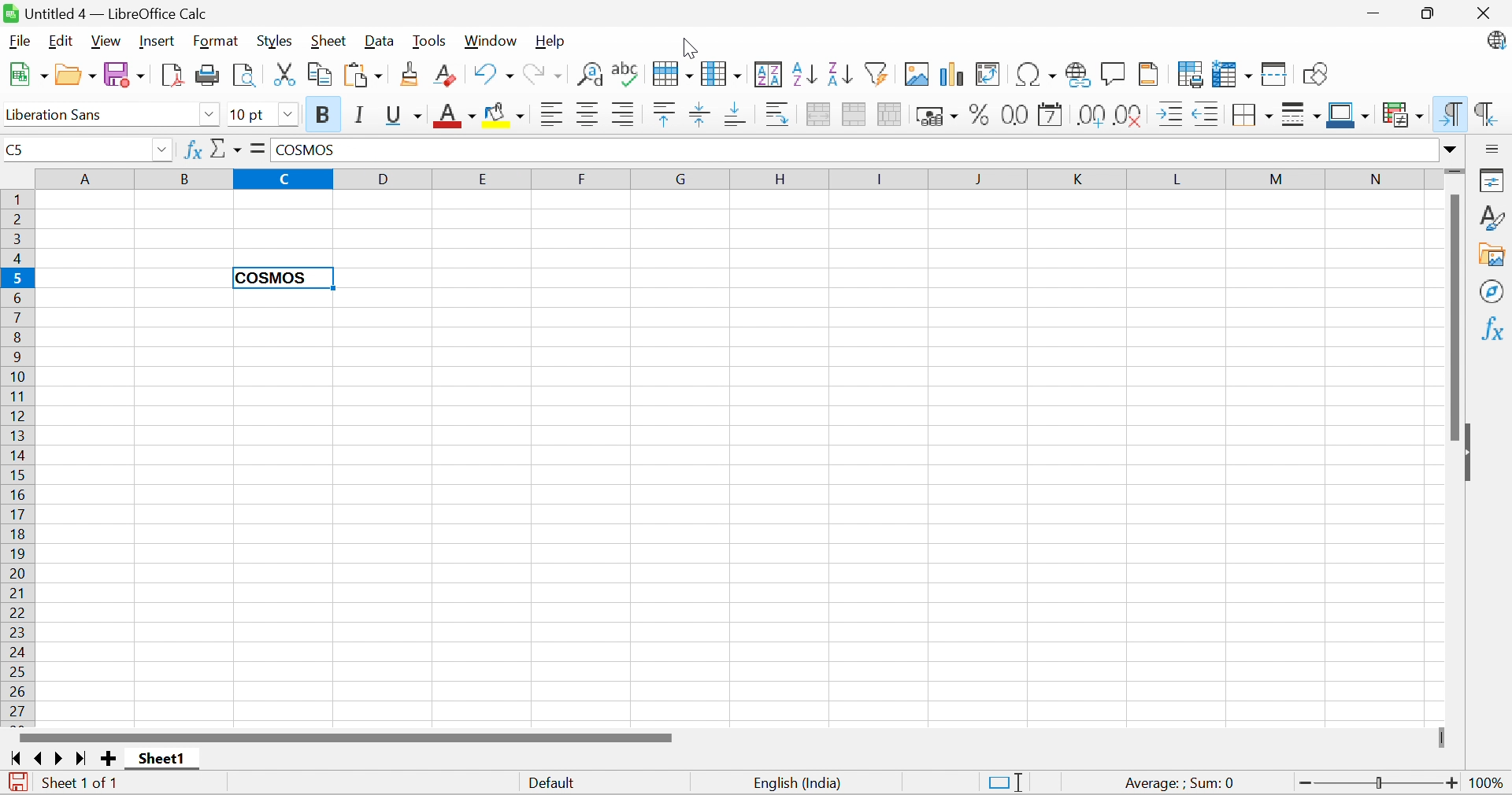 The height and width of the screenshot is (795, 1512). I want to click on Clear Direct Formatting, so click(450, 76).